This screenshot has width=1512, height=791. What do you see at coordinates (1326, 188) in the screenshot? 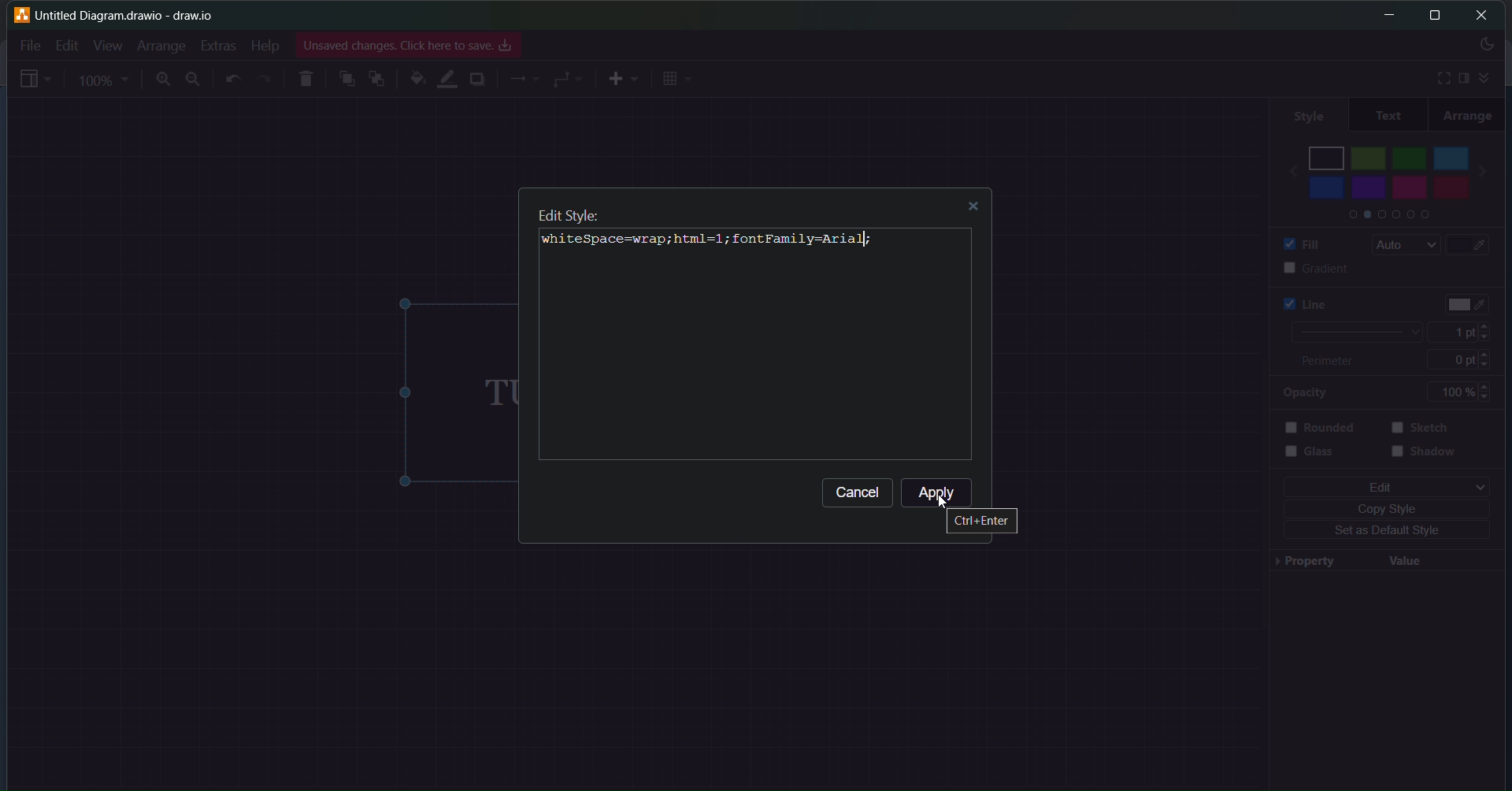
I see `blue` at bounding box center [1326, 188].